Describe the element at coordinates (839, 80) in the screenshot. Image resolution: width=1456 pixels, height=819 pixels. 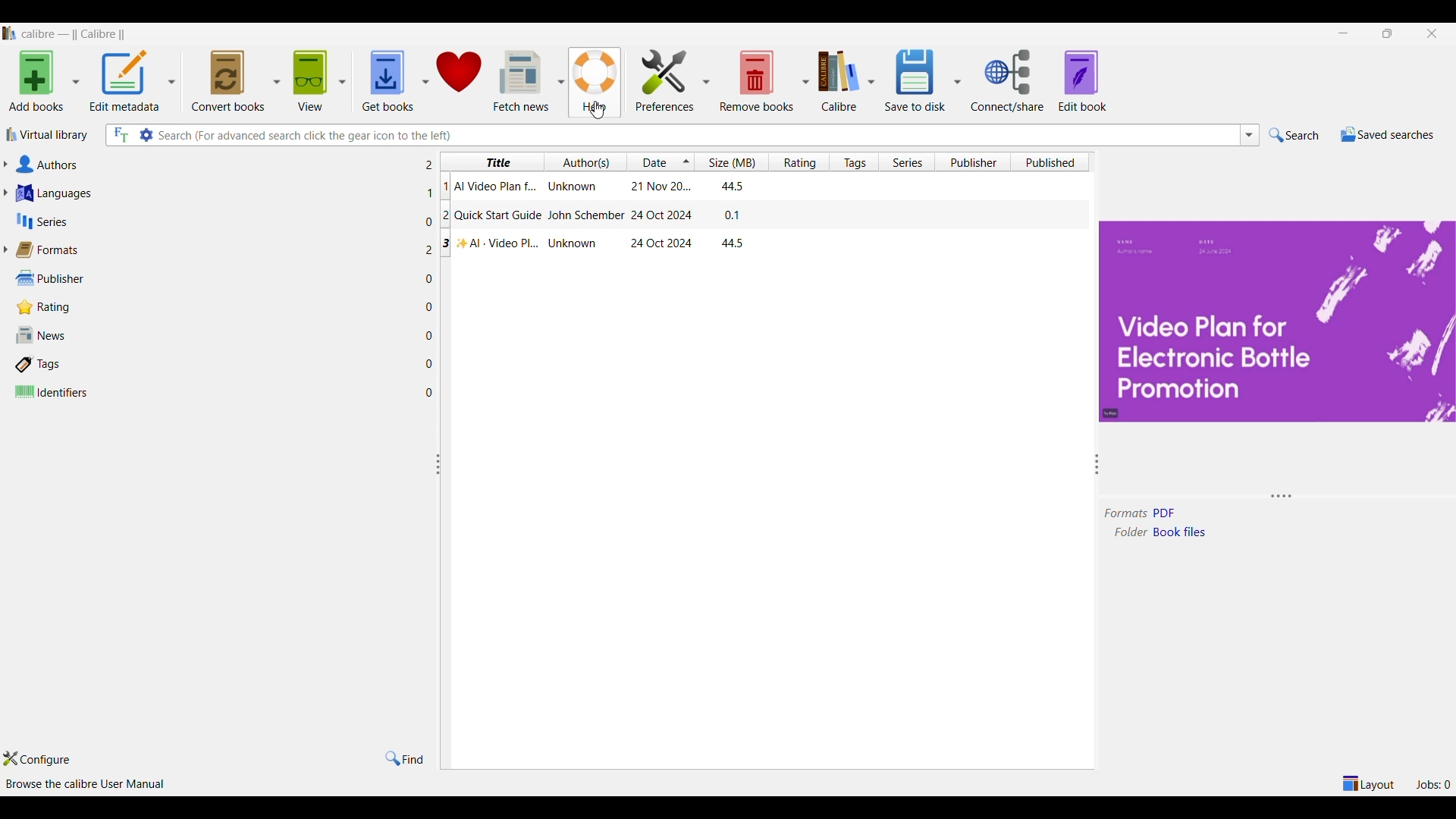
I see `Calibre` at that location.